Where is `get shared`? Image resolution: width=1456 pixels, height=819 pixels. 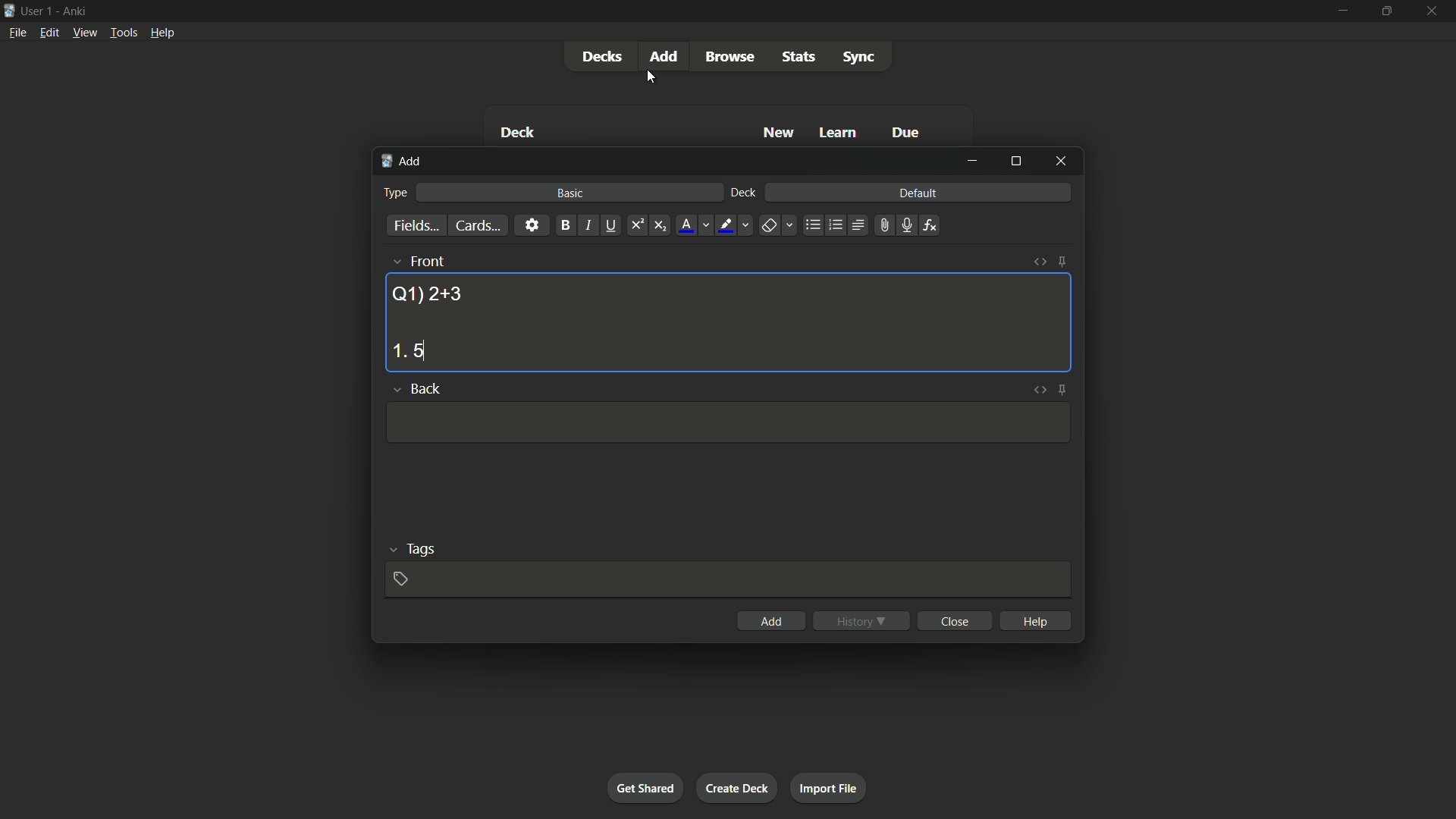
get shared is located at coordinates (645, 787).